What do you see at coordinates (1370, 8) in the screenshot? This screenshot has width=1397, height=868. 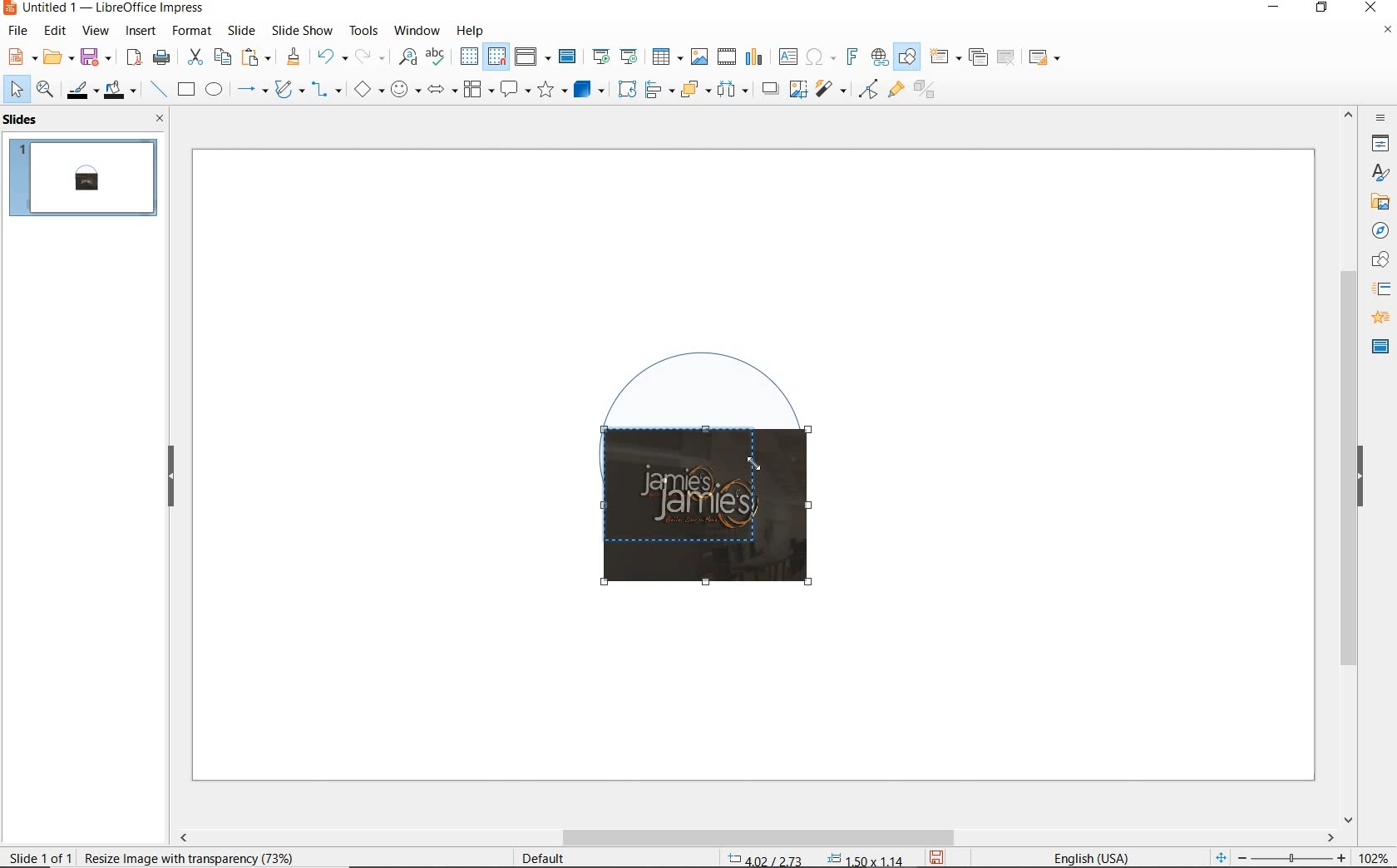 I see `close` at bounding box center [1370, 8].